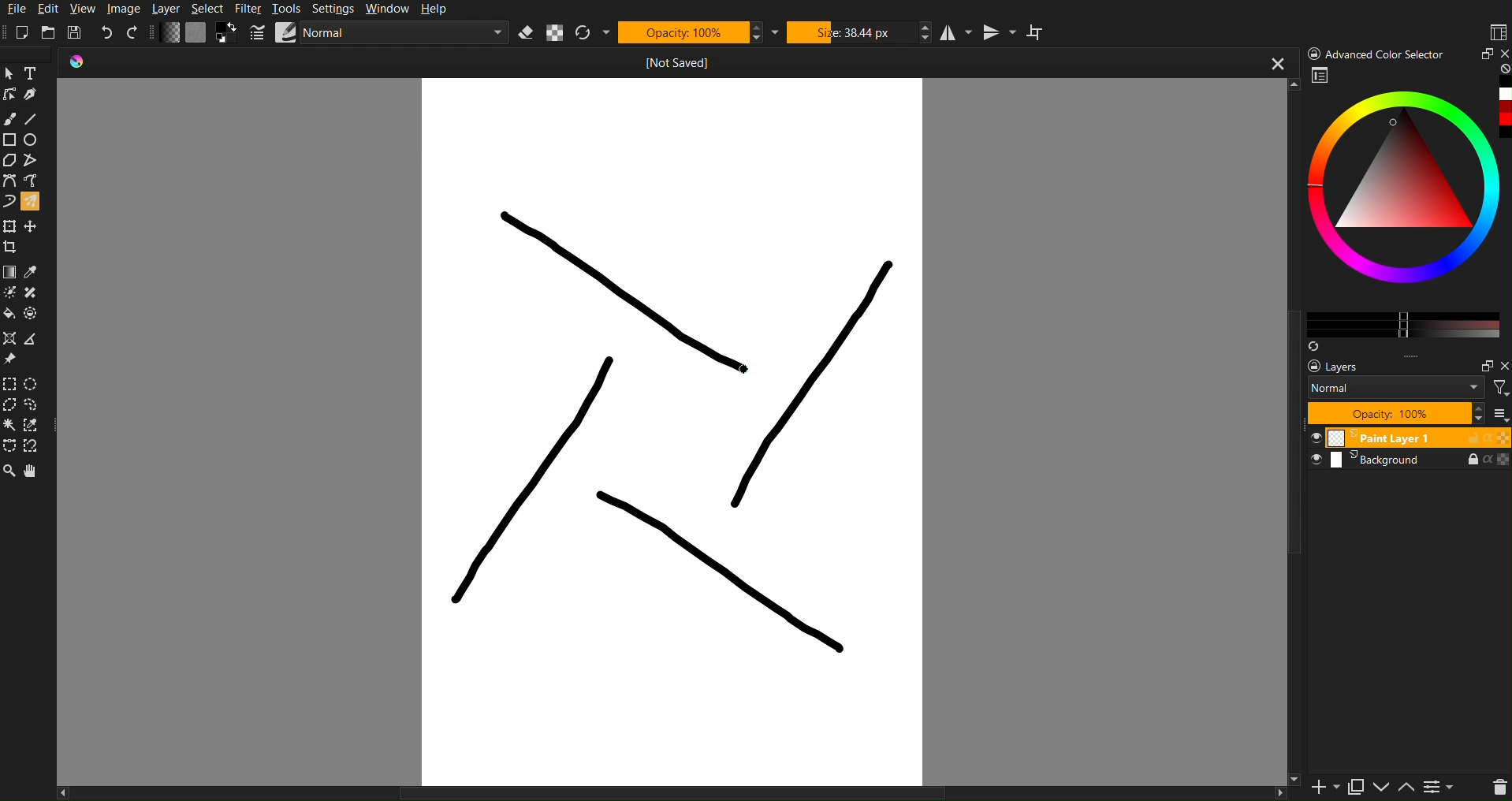  Describe the element at coordinates (955, 33) in the screenshot. I see `Horizontal Mirror` at that location.